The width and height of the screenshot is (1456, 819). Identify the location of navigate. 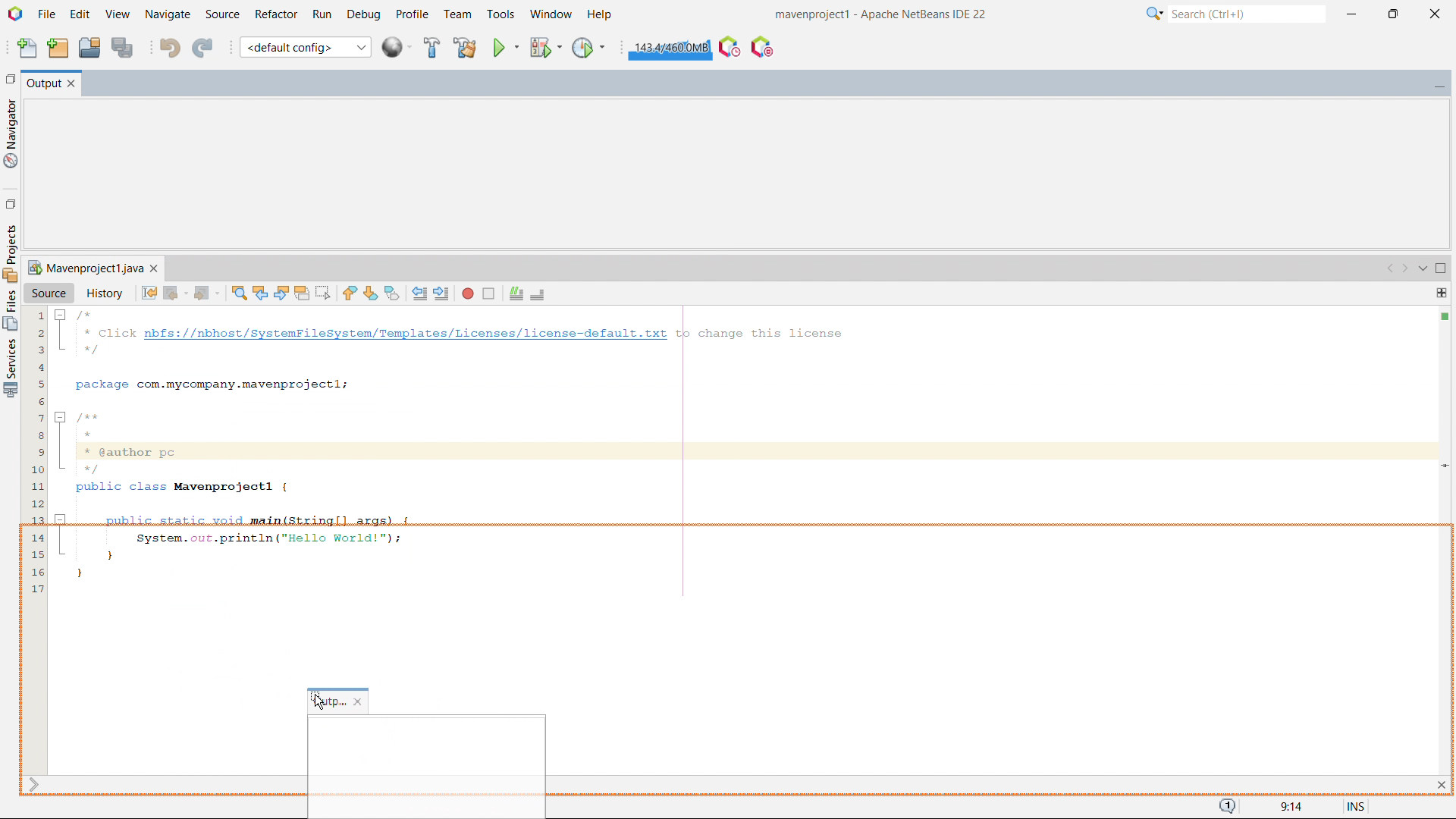
(168, 14).